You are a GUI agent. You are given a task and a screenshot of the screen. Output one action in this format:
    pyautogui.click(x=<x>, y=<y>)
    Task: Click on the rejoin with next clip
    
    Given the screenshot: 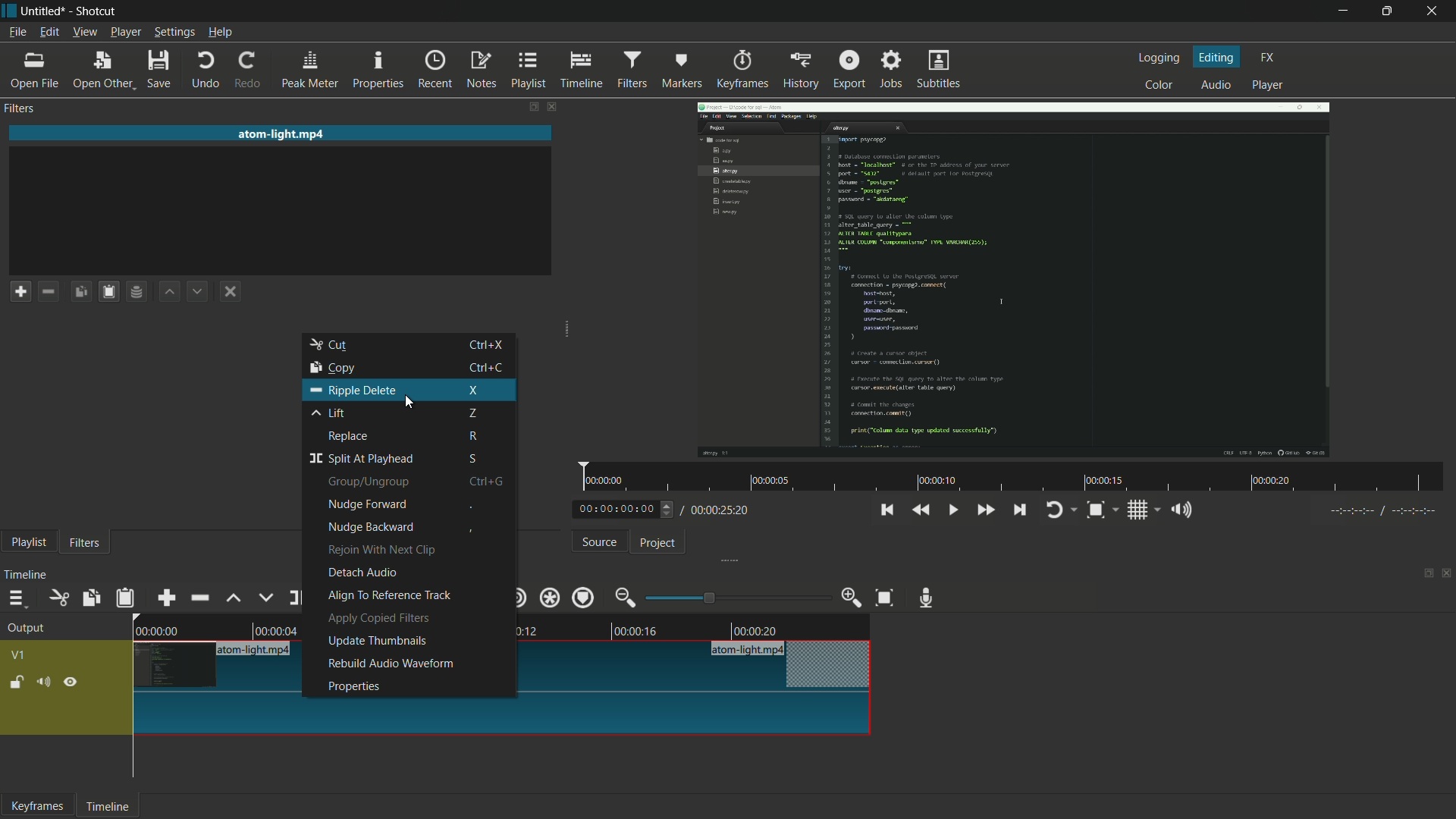 What is the action you would take?
    pyautogui.click(x=381, y=550)
    